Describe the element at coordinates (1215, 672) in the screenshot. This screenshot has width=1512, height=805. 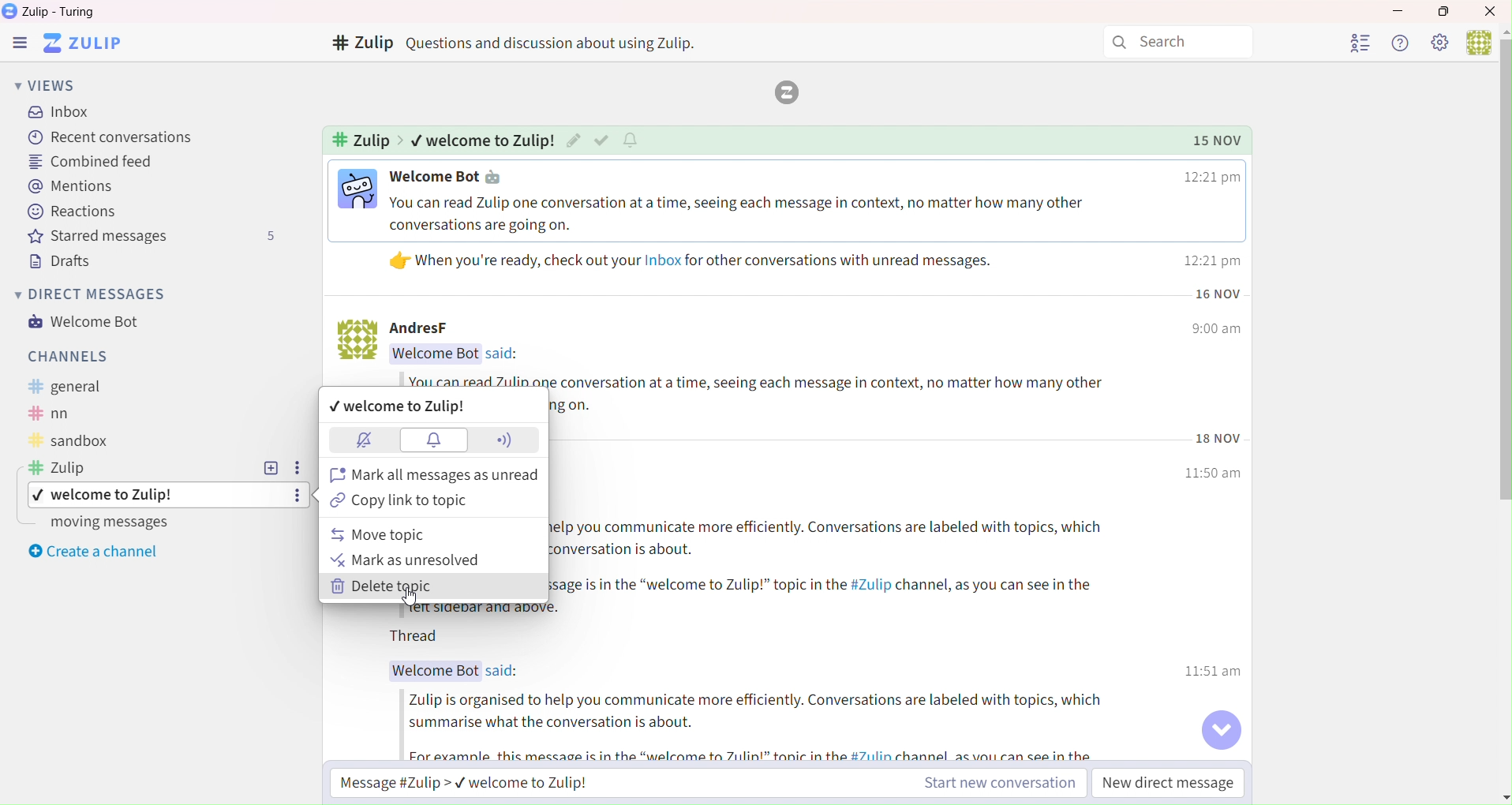
I see `Time` at that location.